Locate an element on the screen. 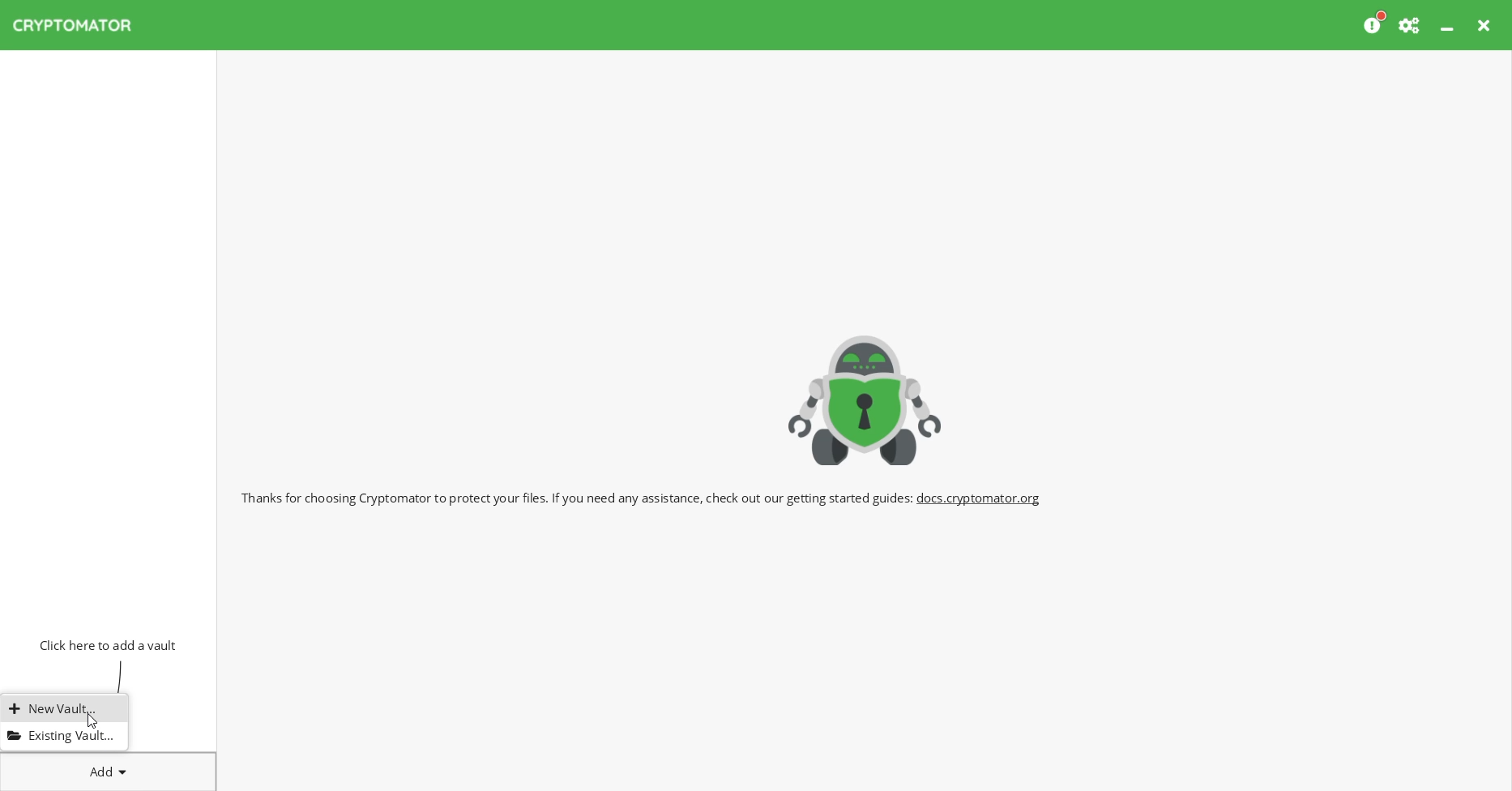  CRYPTOMATOR Application Name is located at coordinates (80, 25).